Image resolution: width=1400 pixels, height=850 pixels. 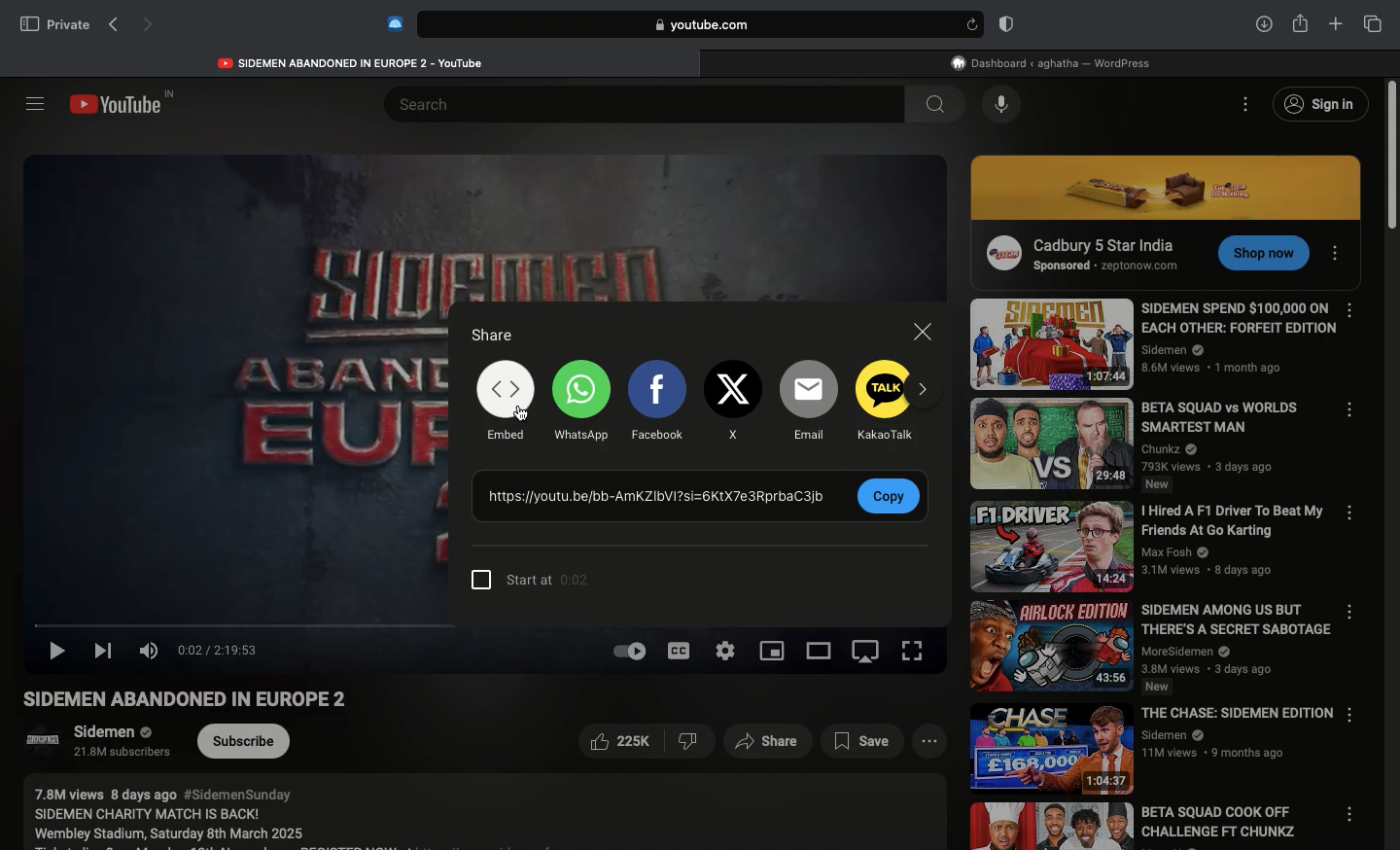 What do you see at coordinates (806, 401) in the screenshot?
I see `Email` at bounding box center [806, 401].